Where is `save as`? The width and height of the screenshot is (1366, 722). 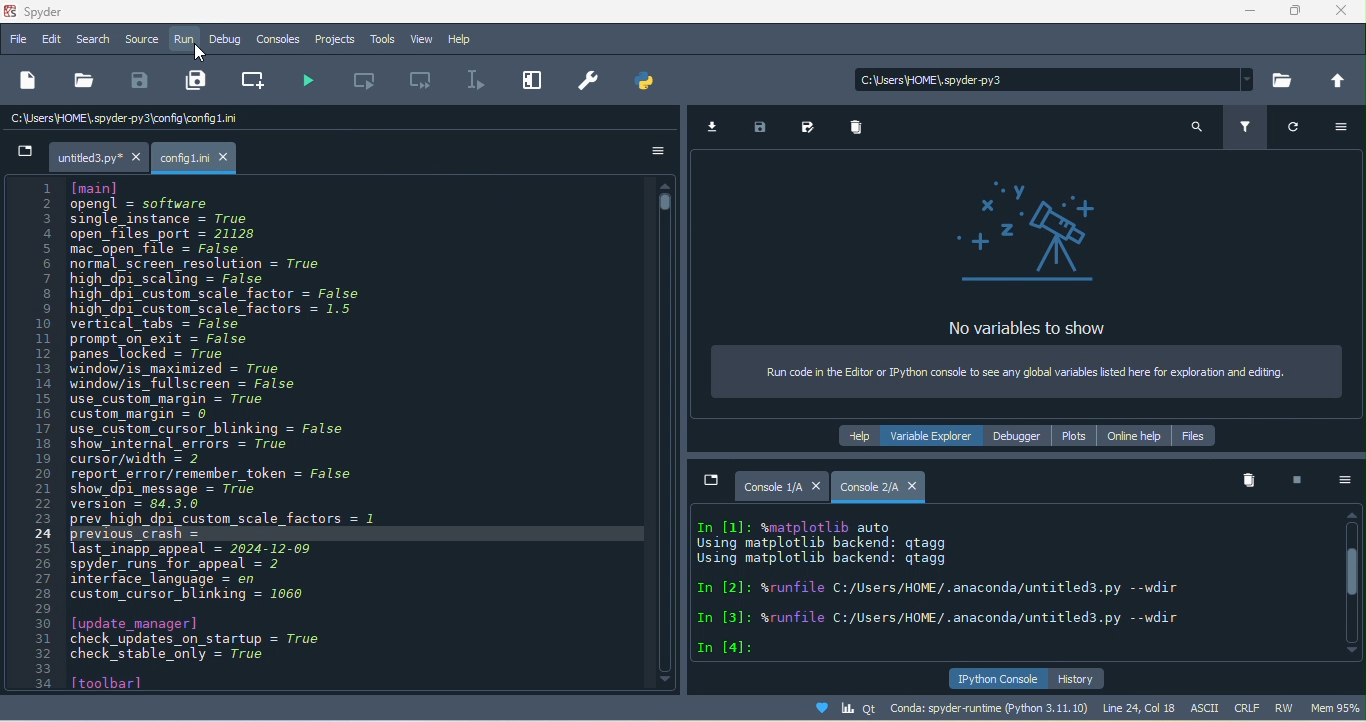 save as is located at coordinates (195, 80).